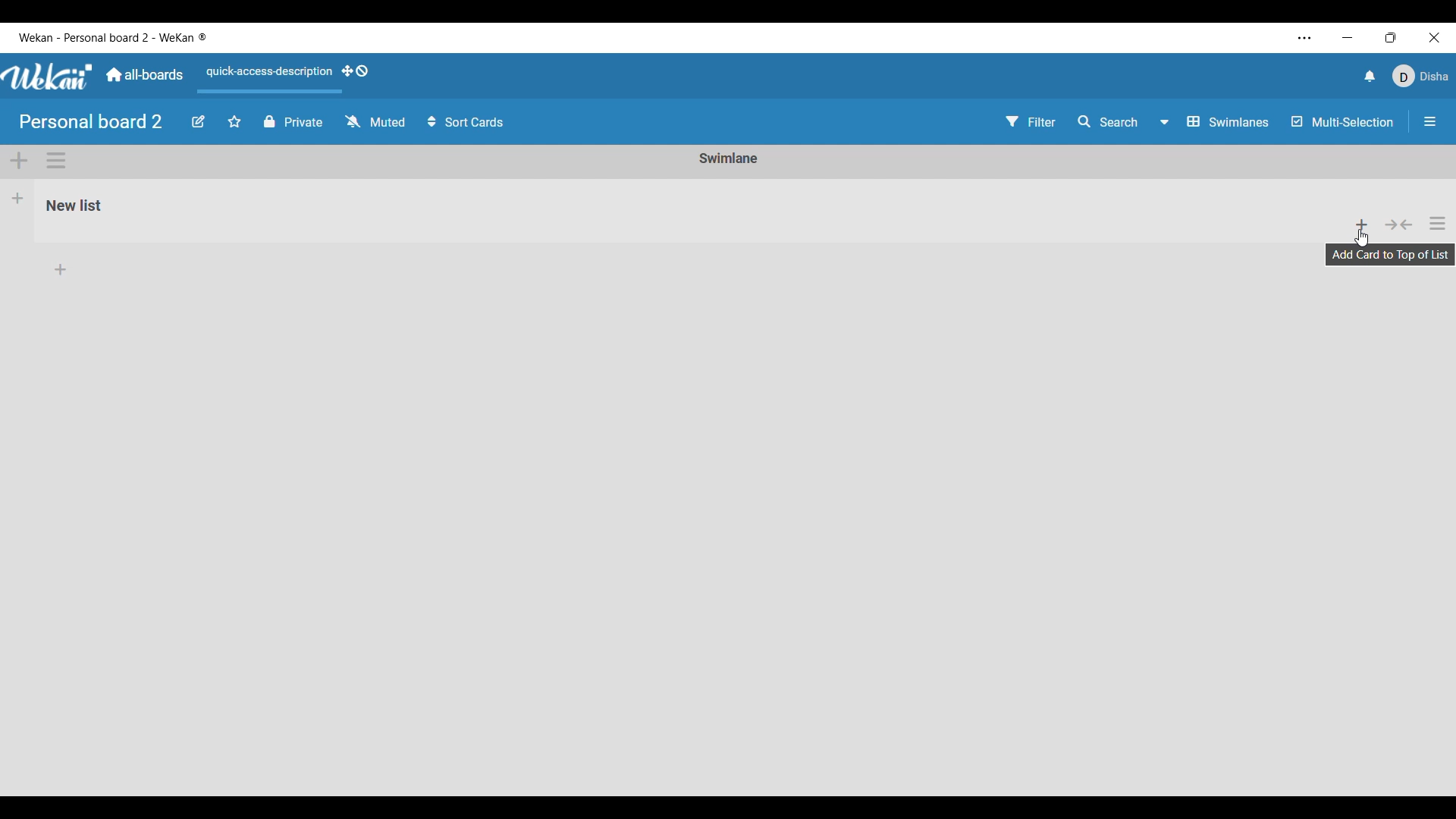 The width and height of the screenshot is (1456, 819). Describe the element at coordinates (1421, 76) in the screenshot. I see `Current account` at that location.